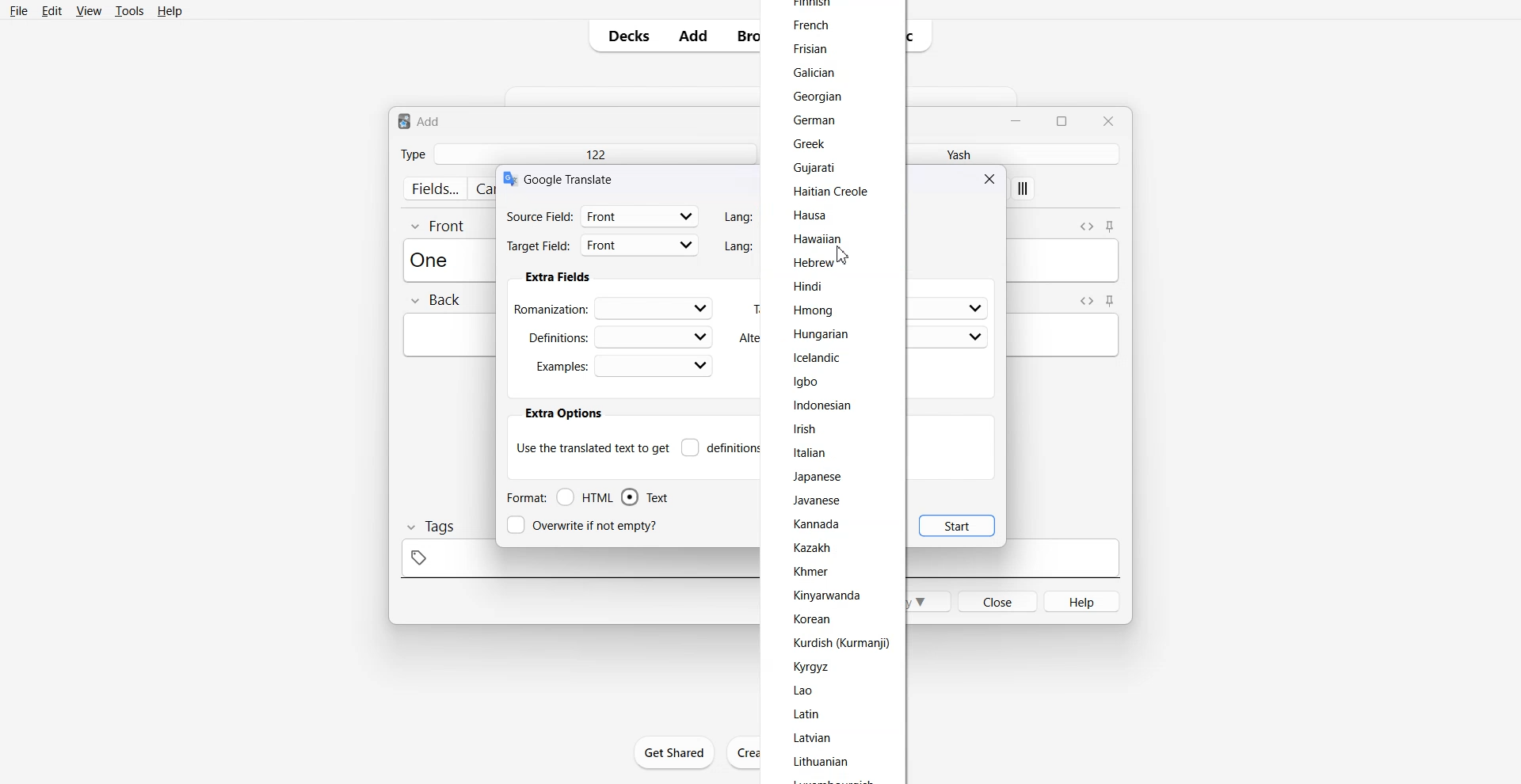 This screenshot has height=784, width=1521. I want to click on Examples, so click(623, 366).